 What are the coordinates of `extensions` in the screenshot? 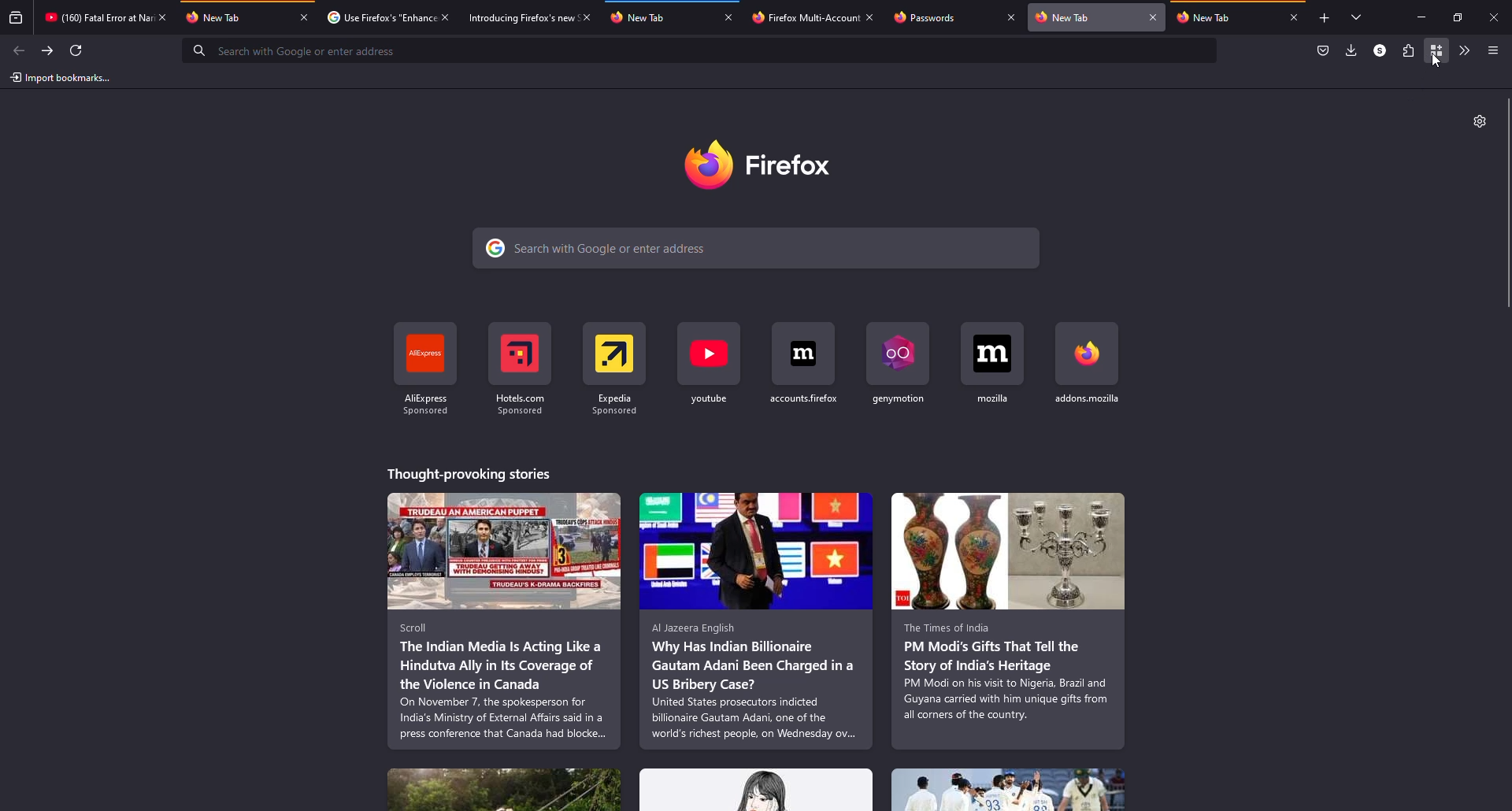 It's located at (1406, 51).